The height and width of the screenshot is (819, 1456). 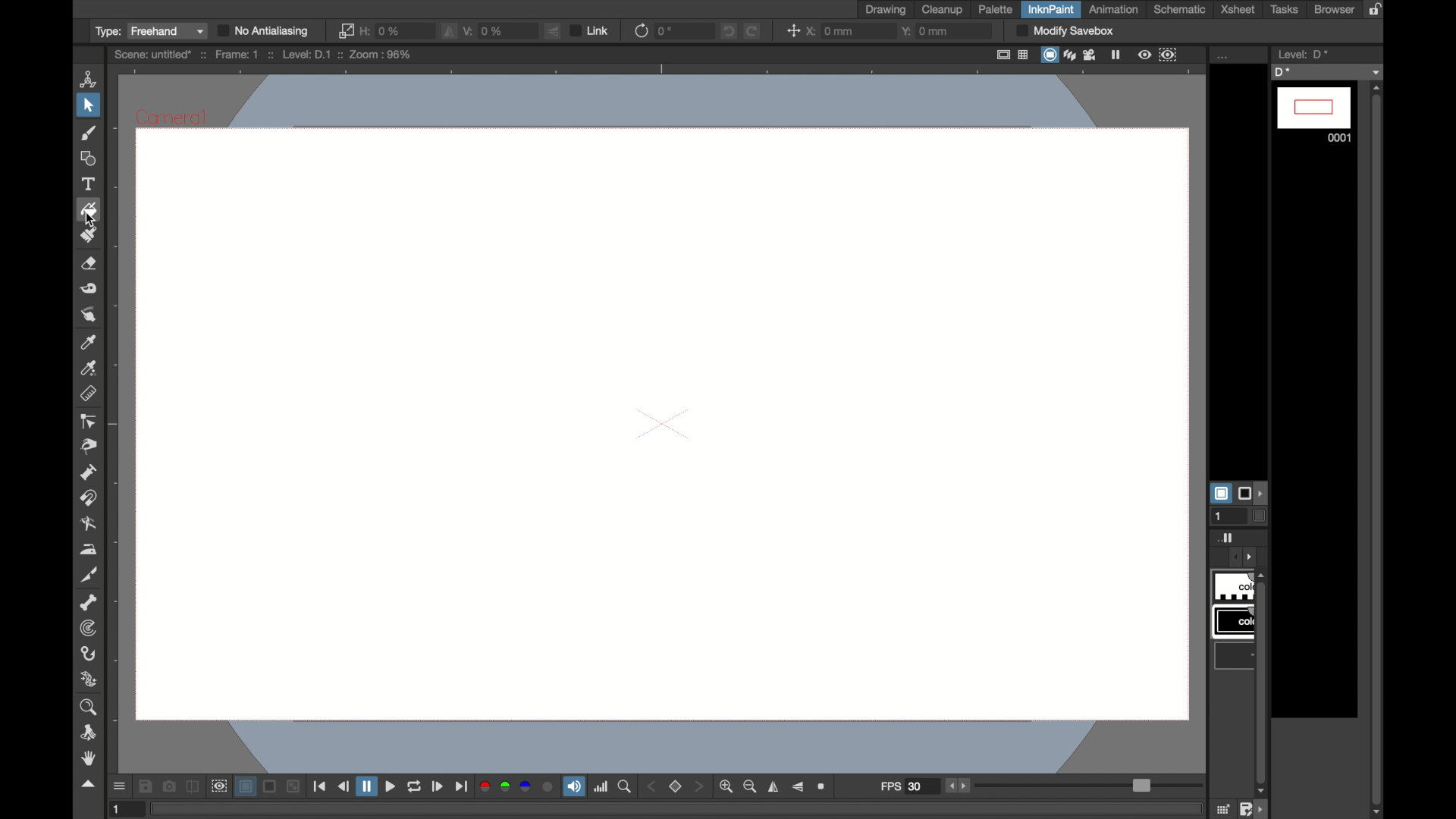 I want to click on scene: untitle* :: Frame: 1 :: Level: D.1 :: Zoom: 50%, so click(x=261, y=55).